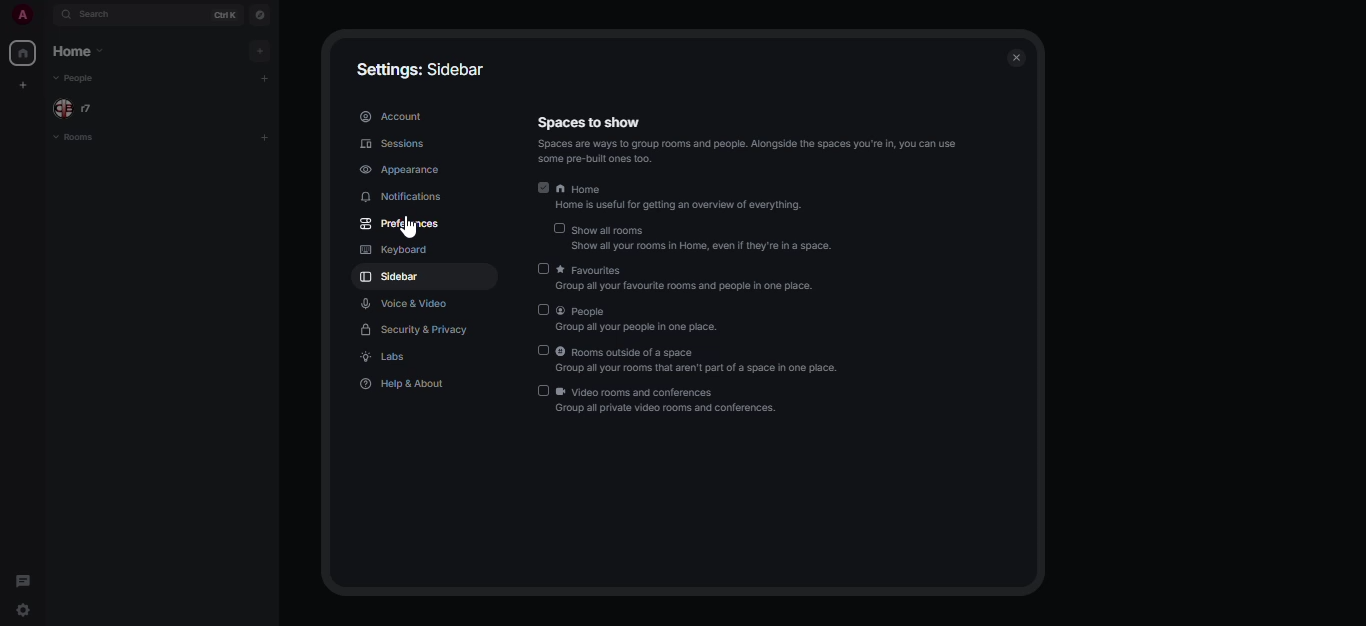  I want to click on add, so click(262, 75).